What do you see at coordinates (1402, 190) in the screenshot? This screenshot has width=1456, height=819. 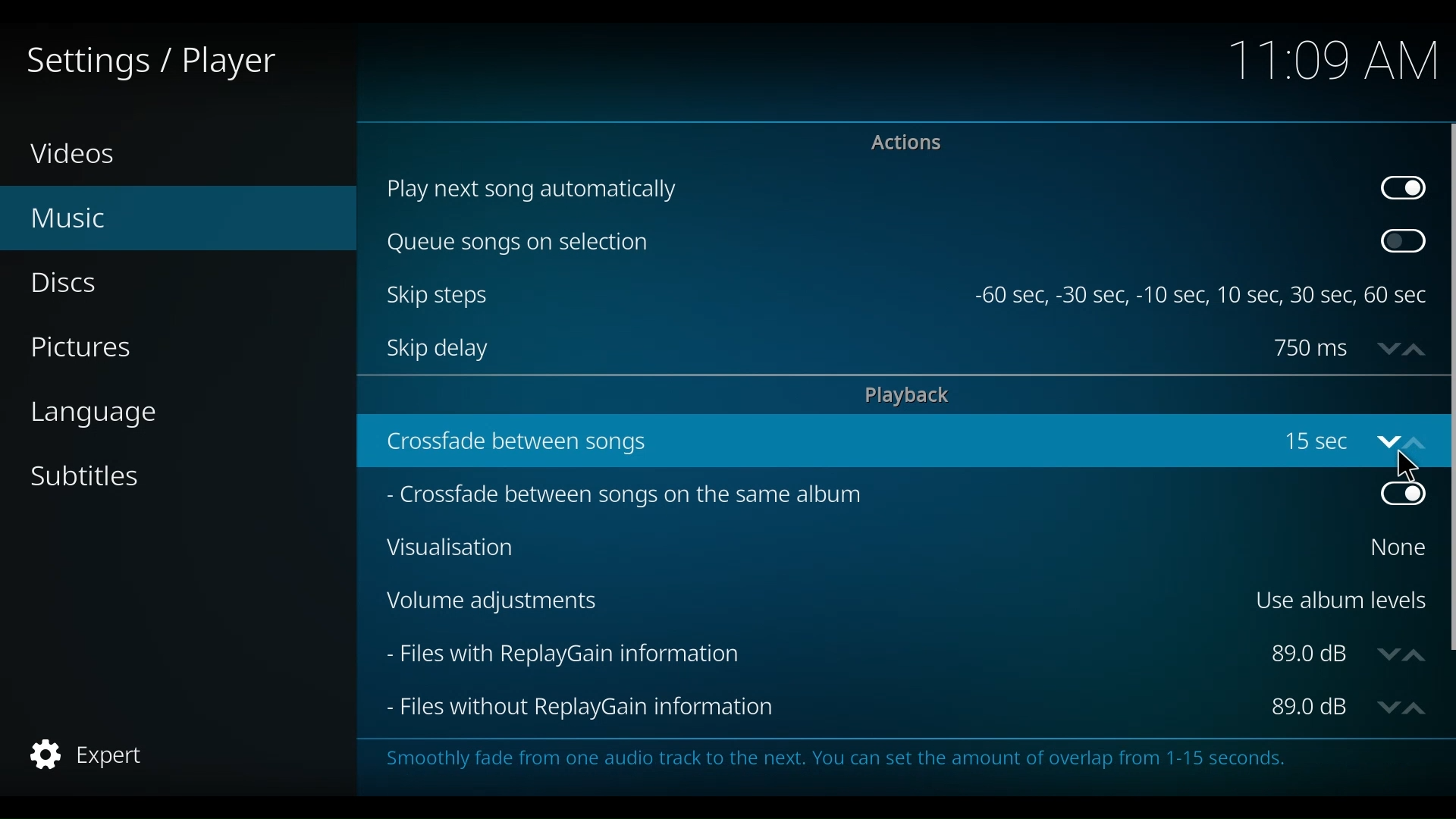 I see `Toggle on/off play next song automatically` at bounding box center [1402, 190].